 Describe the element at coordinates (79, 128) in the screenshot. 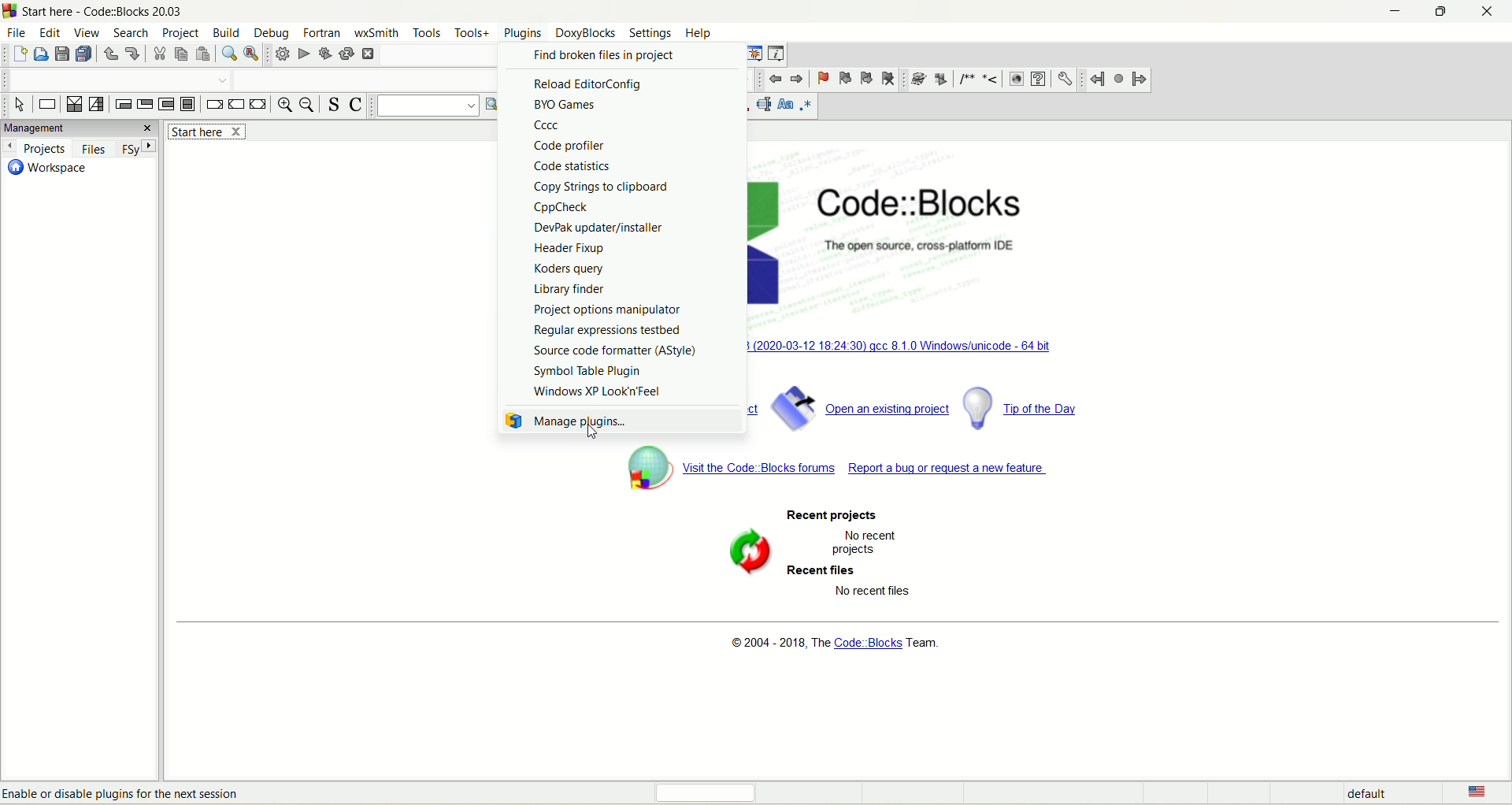

I see `managements` at that location.